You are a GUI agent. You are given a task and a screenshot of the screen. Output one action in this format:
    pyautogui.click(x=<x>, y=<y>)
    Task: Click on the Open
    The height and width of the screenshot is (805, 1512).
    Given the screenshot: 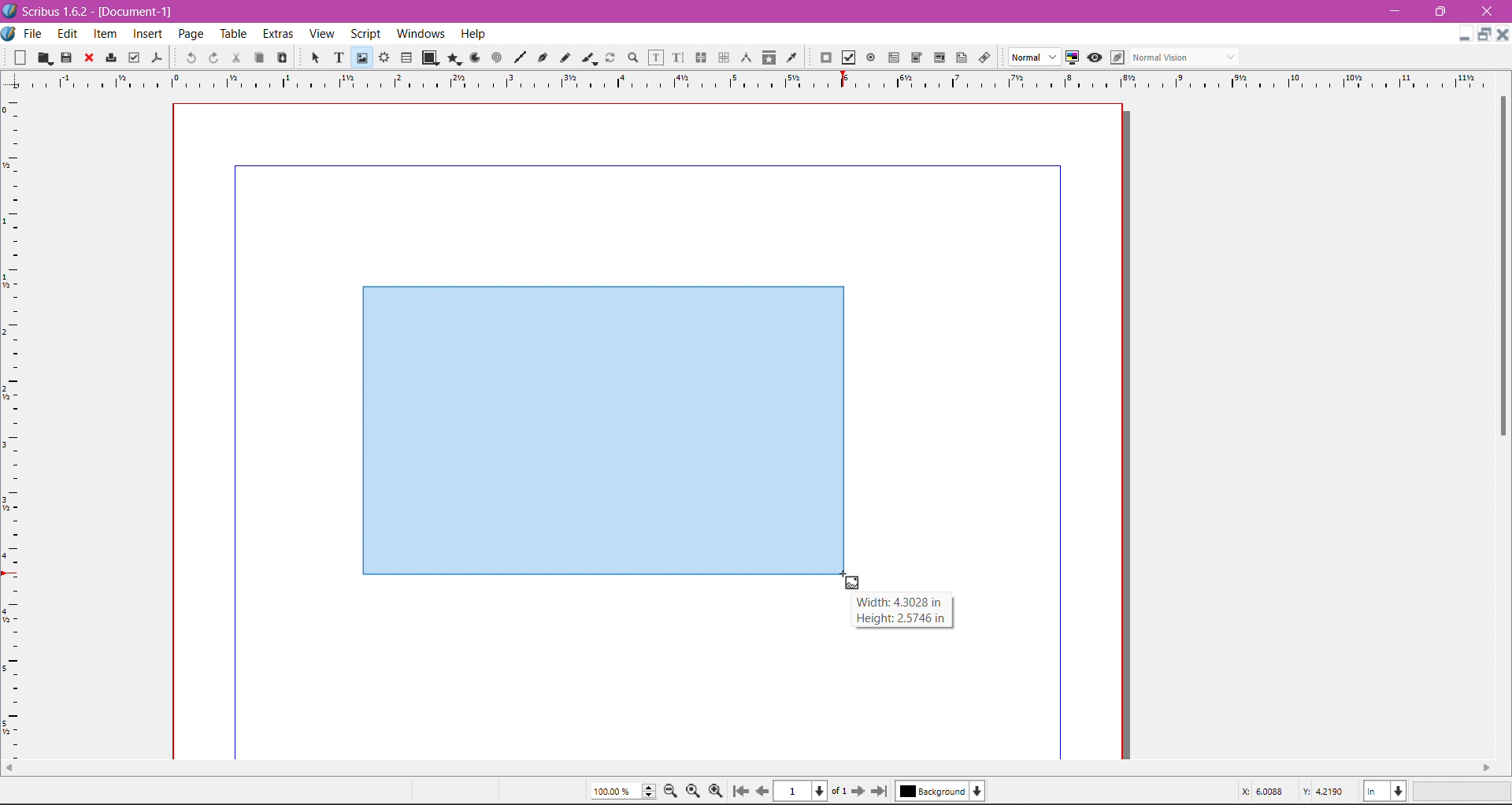 What is the action you would take?
    pyautogui.click(x=45, y=57)
    